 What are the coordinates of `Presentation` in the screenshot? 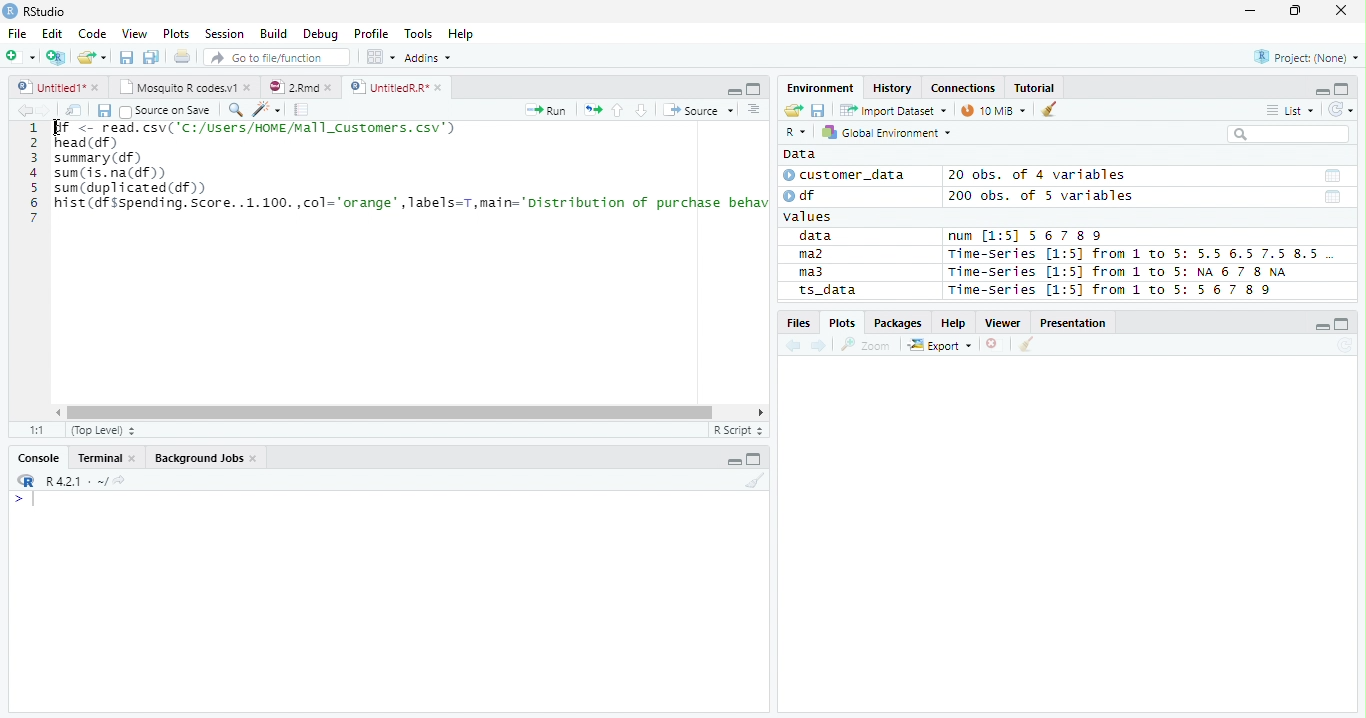 It's located at (1076, 323).